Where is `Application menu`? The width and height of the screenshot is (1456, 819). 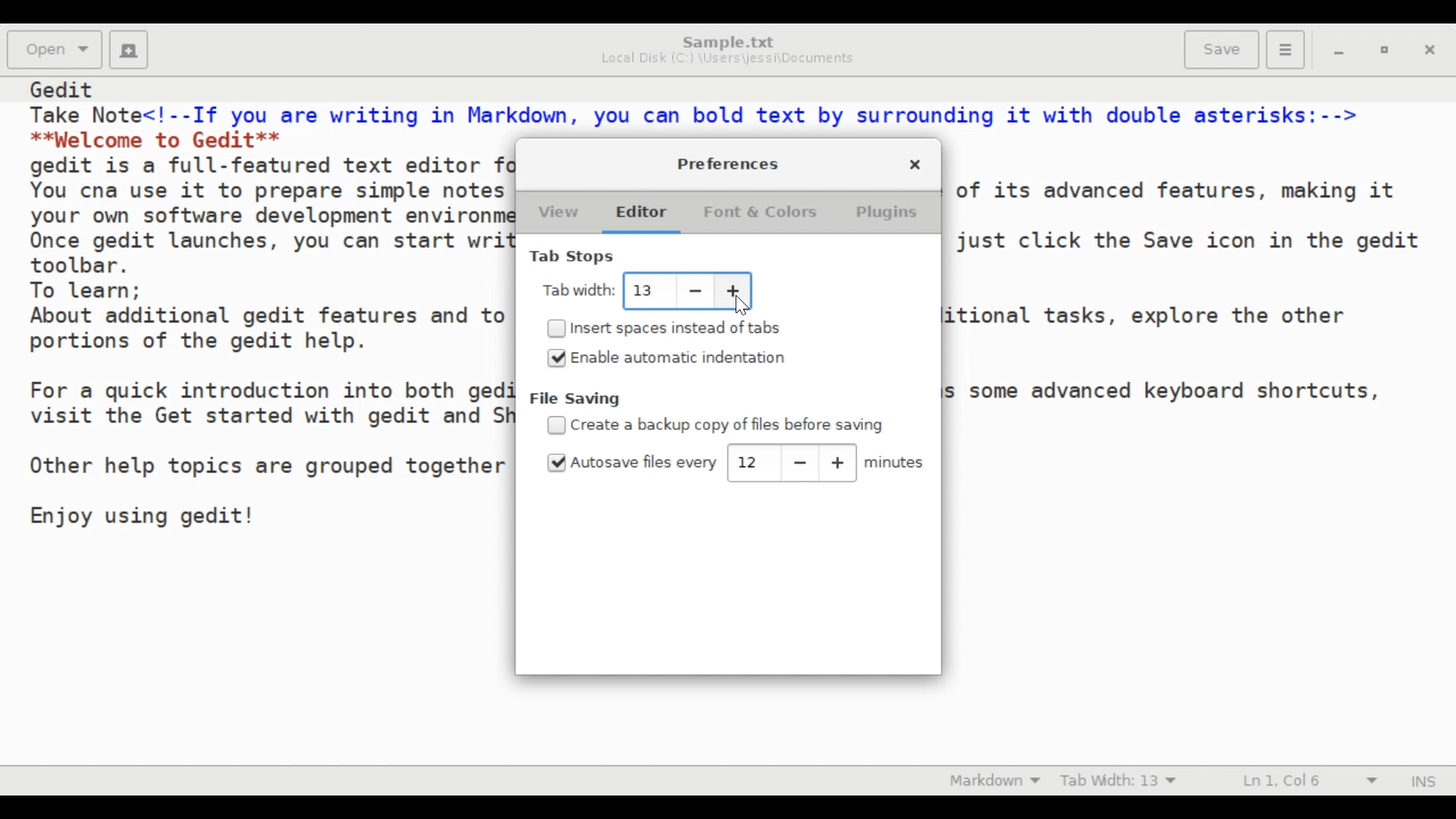 Application menu is located at coordinates (1285, 50).